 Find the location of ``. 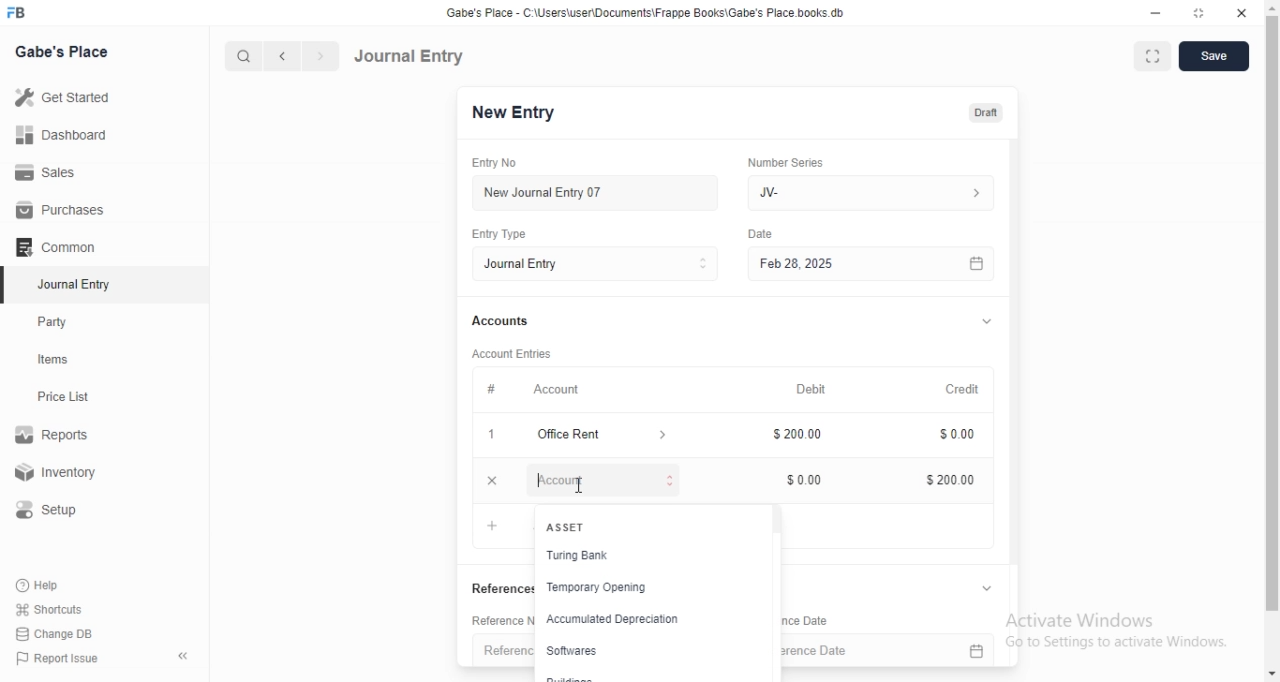

 is located at coordinates (806, 481).